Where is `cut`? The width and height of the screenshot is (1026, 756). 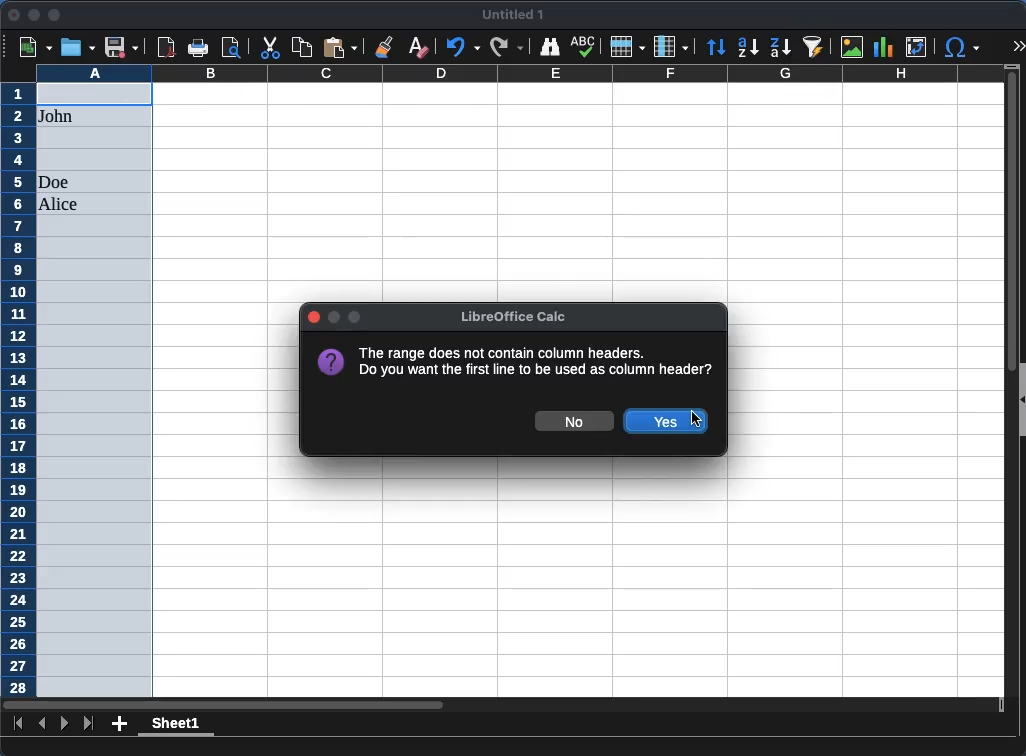 cut is located at coordinates (269, 47).